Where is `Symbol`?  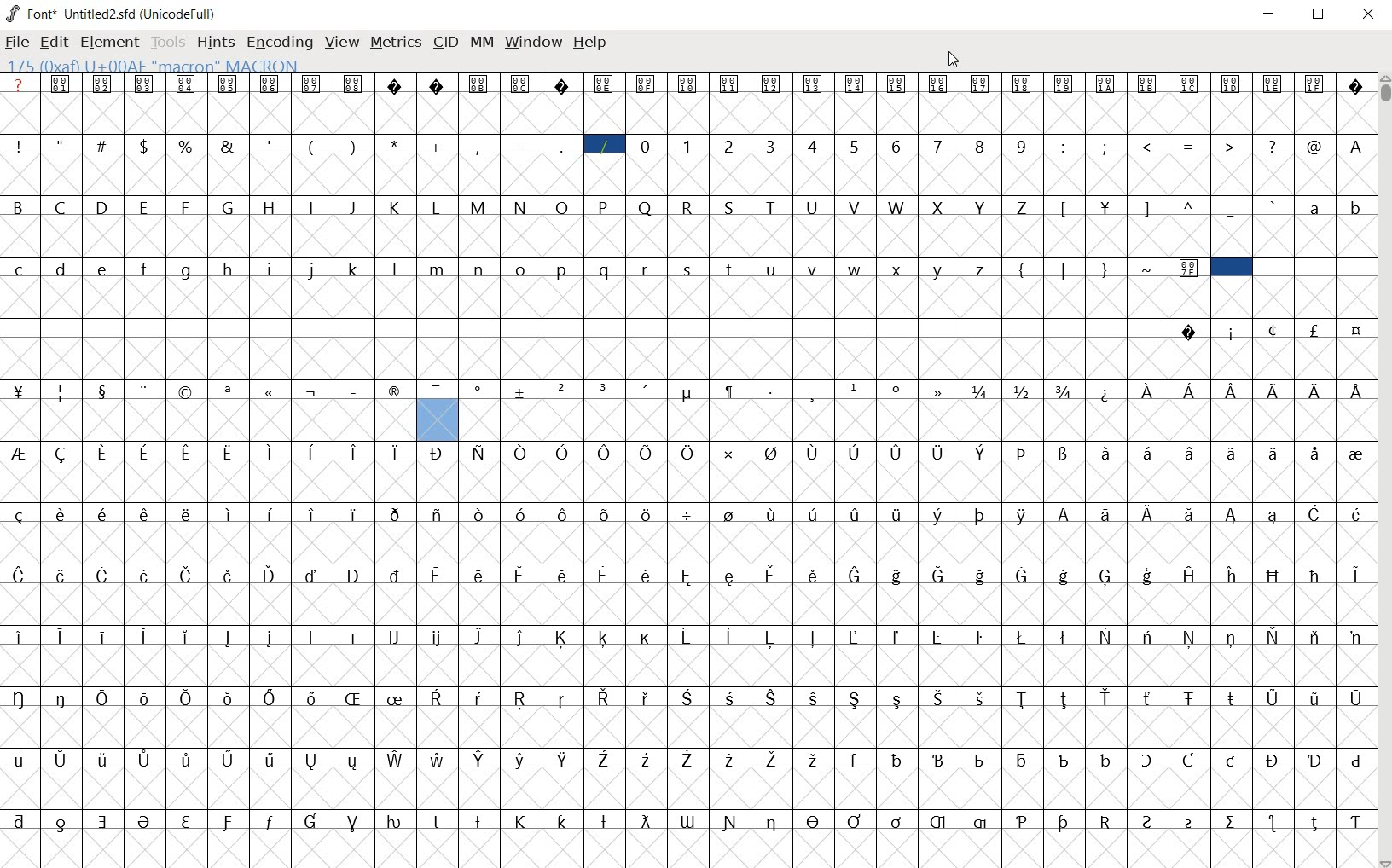
Symbol is located at coordinates (769, 637).